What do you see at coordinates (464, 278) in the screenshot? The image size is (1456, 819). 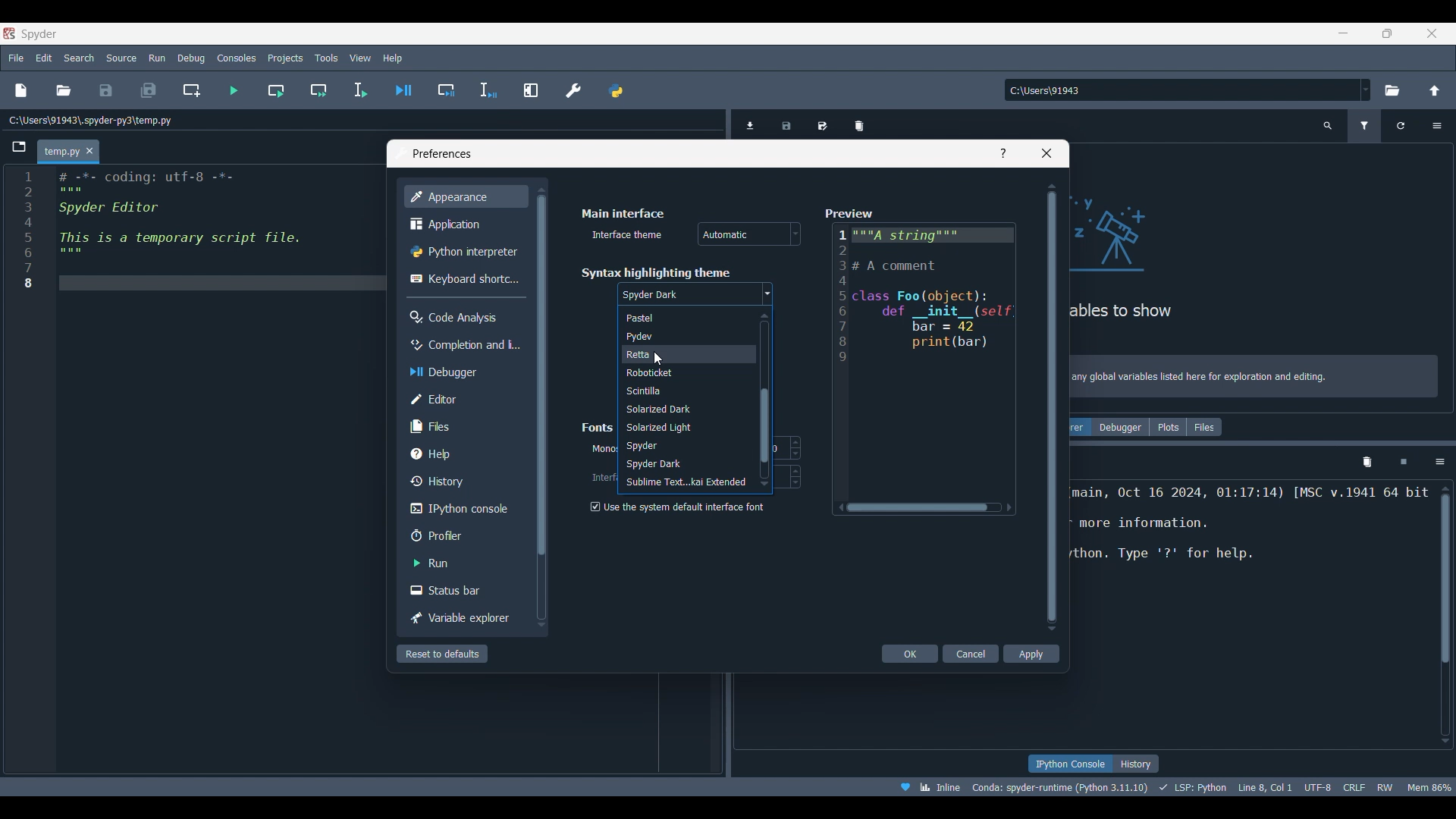 I see `Keyboard shortcut` at bounding box center [464, 278].